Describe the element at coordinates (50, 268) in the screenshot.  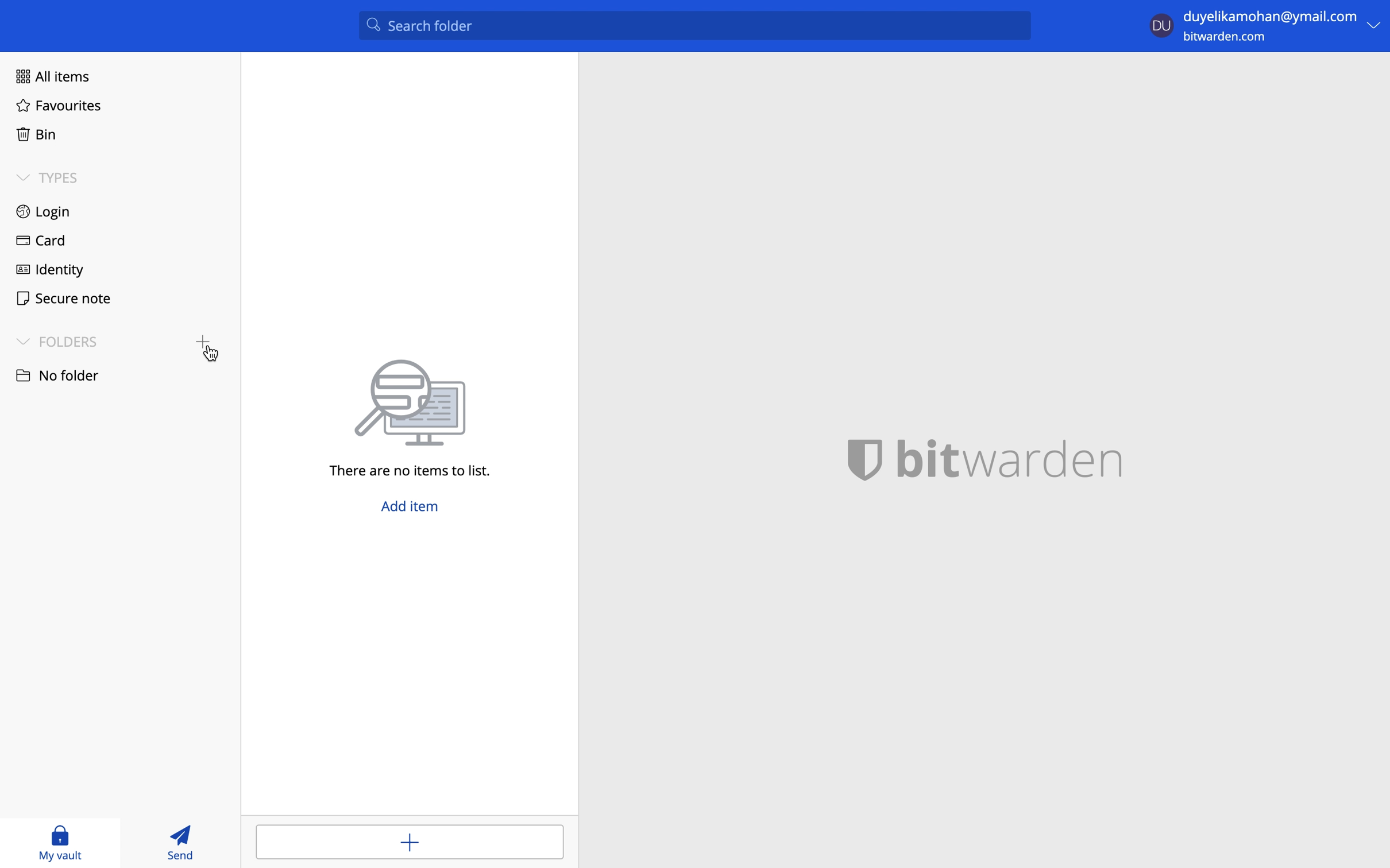
I see `identity` at that location.